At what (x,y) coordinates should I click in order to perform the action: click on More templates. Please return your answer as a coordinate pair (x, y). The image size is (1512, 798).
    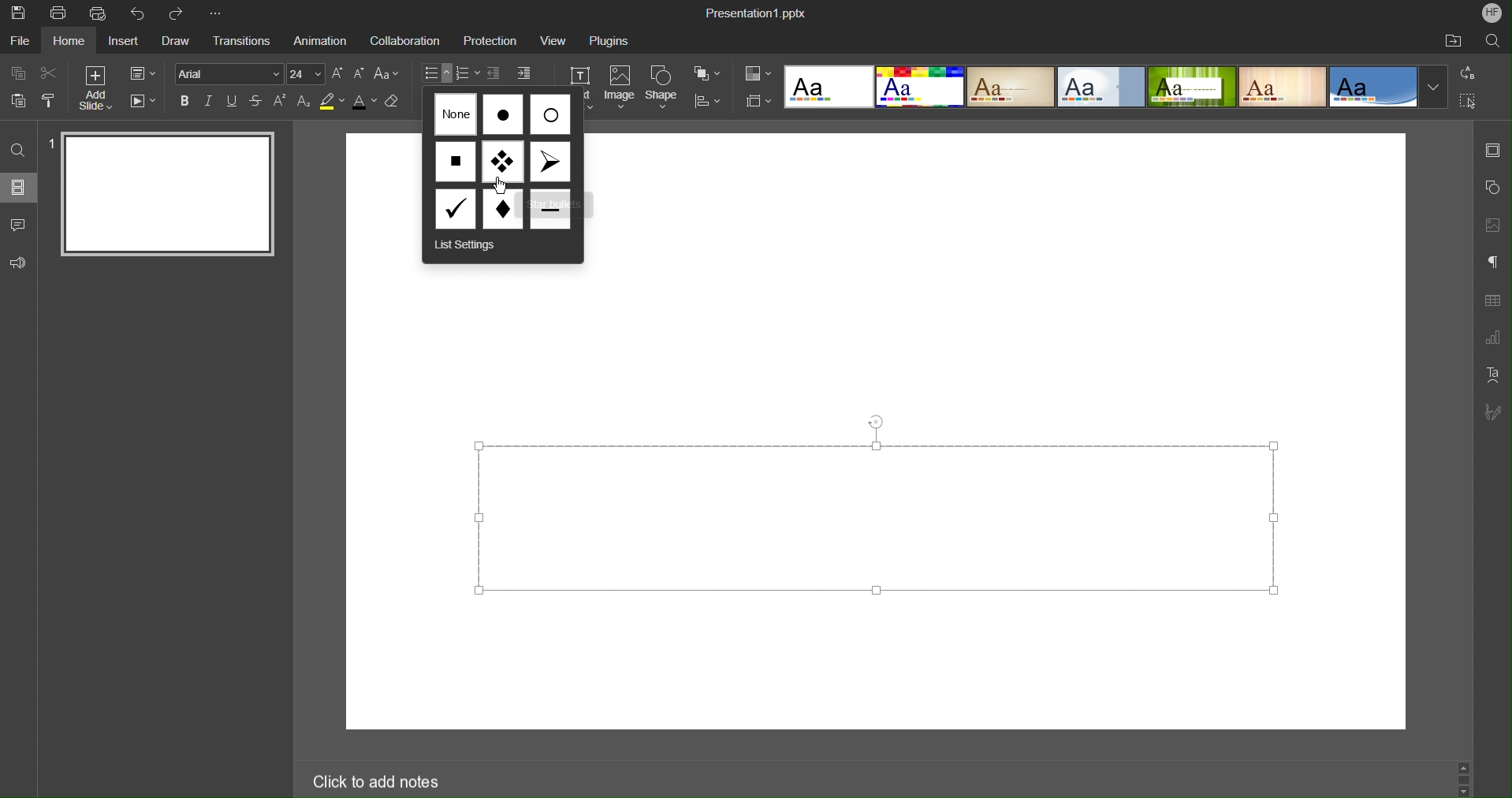
    Looking at the image, I should click on (1433, 88).